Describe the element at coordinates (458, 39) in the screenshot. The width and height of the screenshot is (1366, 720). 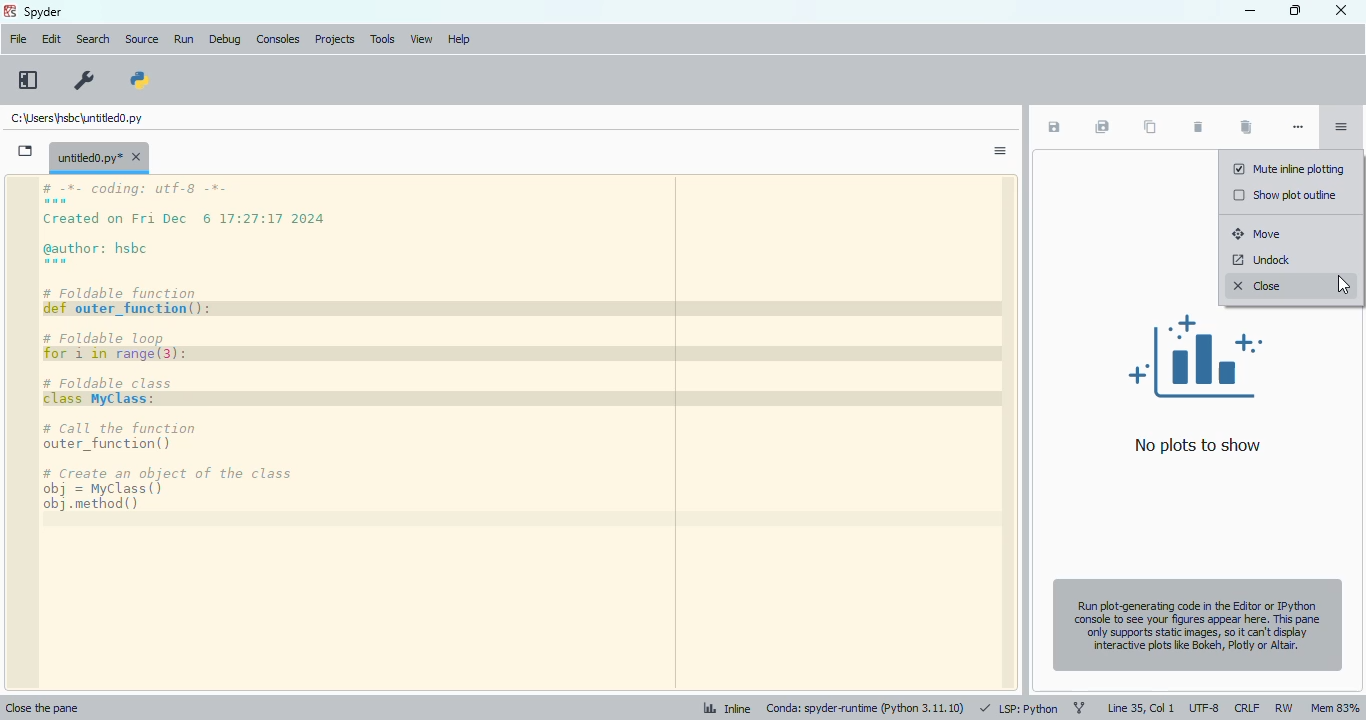
I see `help` at that location.